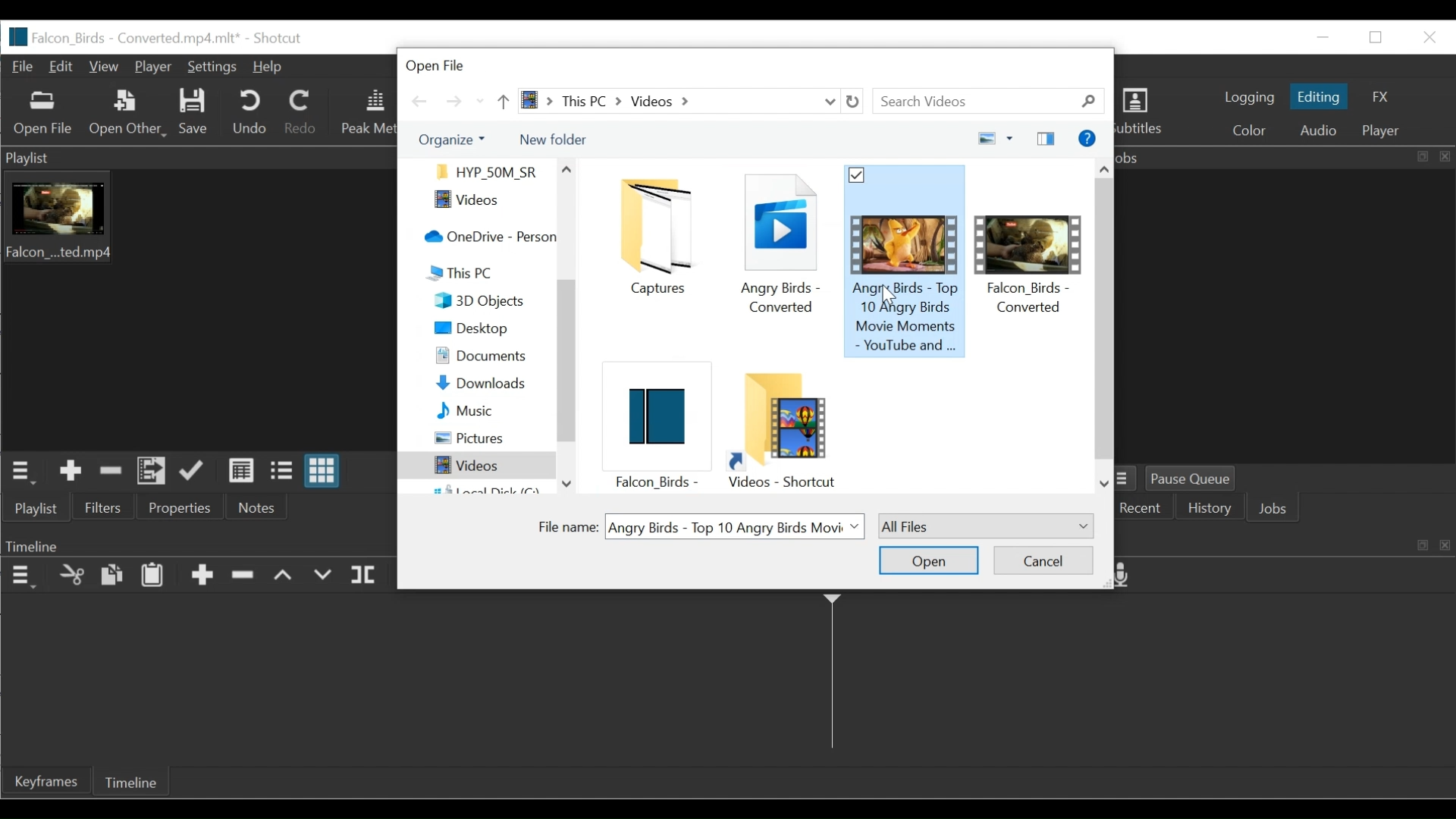 The width and height of the screenshot is (1456, 819). I want to click on more options, so click(1012, 137).